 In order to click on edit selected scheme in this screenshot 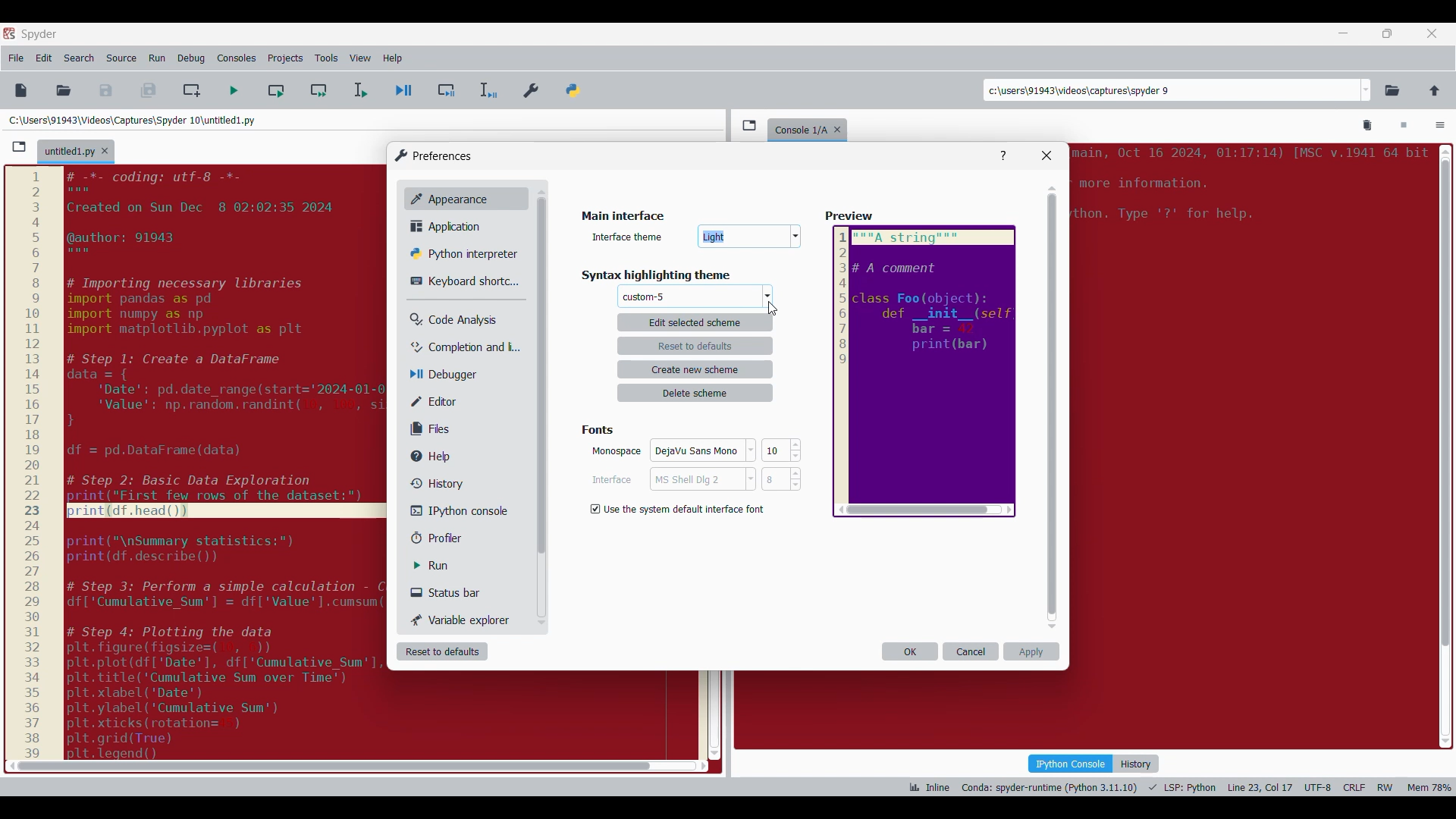, I will do `click(695, 322)`.